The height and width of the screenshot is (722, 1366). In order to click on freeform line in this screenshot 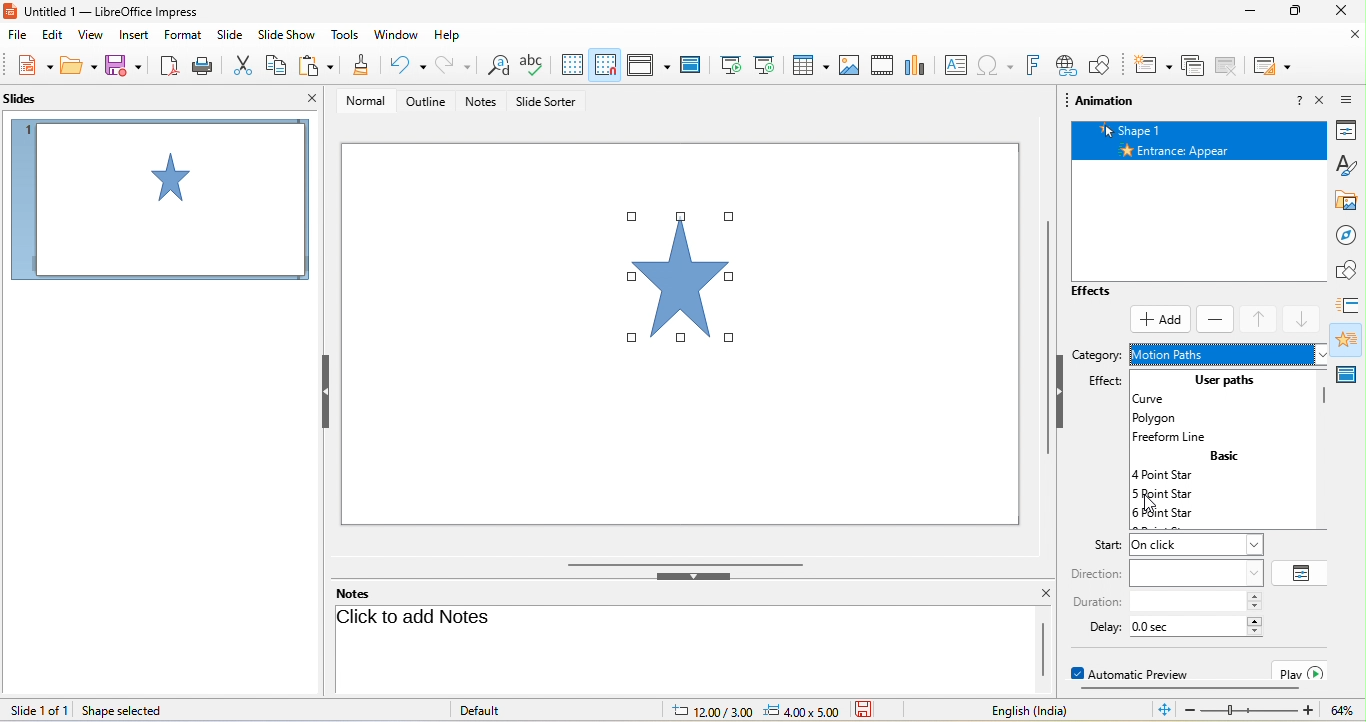, I will do `click(1176, 438)`.